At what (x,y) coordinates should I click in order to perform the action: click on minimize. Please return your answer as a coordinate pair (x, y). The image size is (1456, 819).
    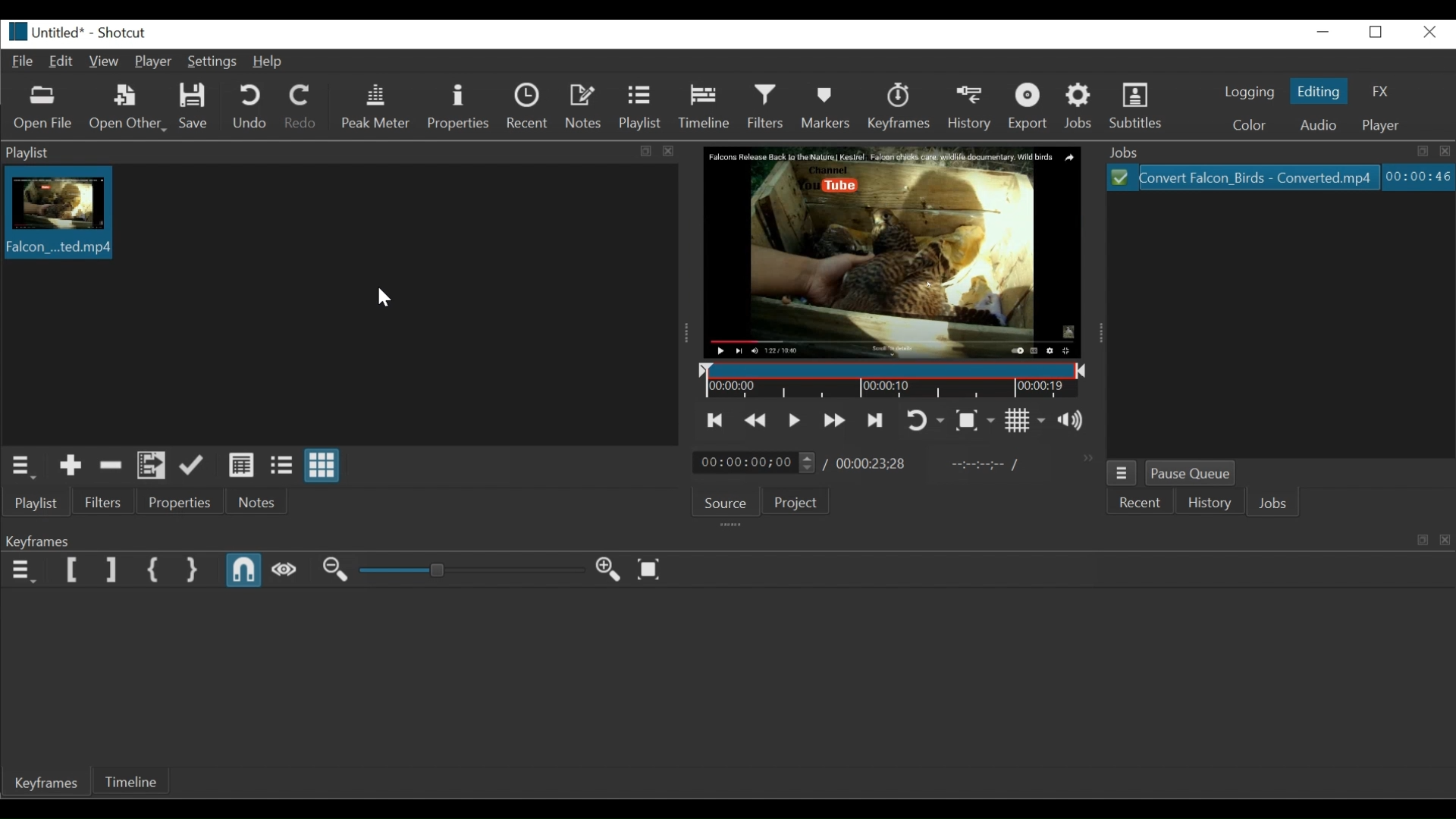
    Looking at the image, I should click on (1323, 32).